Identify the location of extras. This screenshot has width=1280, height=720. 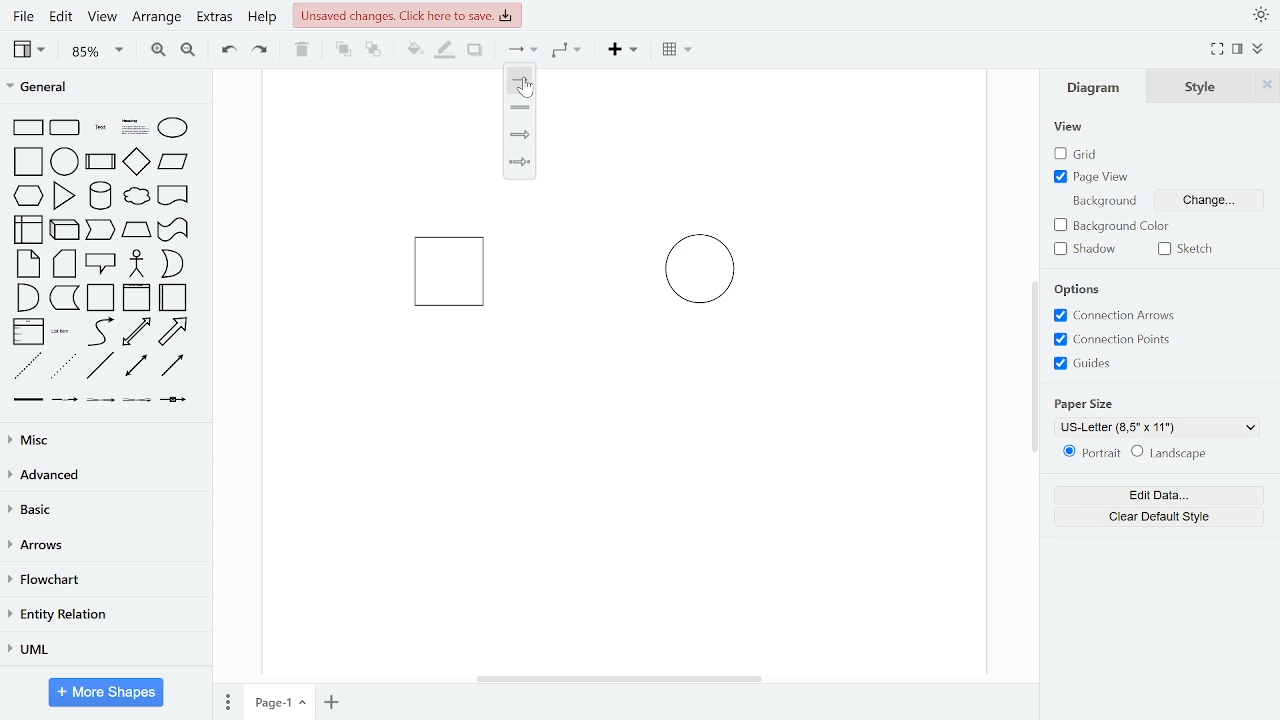
(214, 17).